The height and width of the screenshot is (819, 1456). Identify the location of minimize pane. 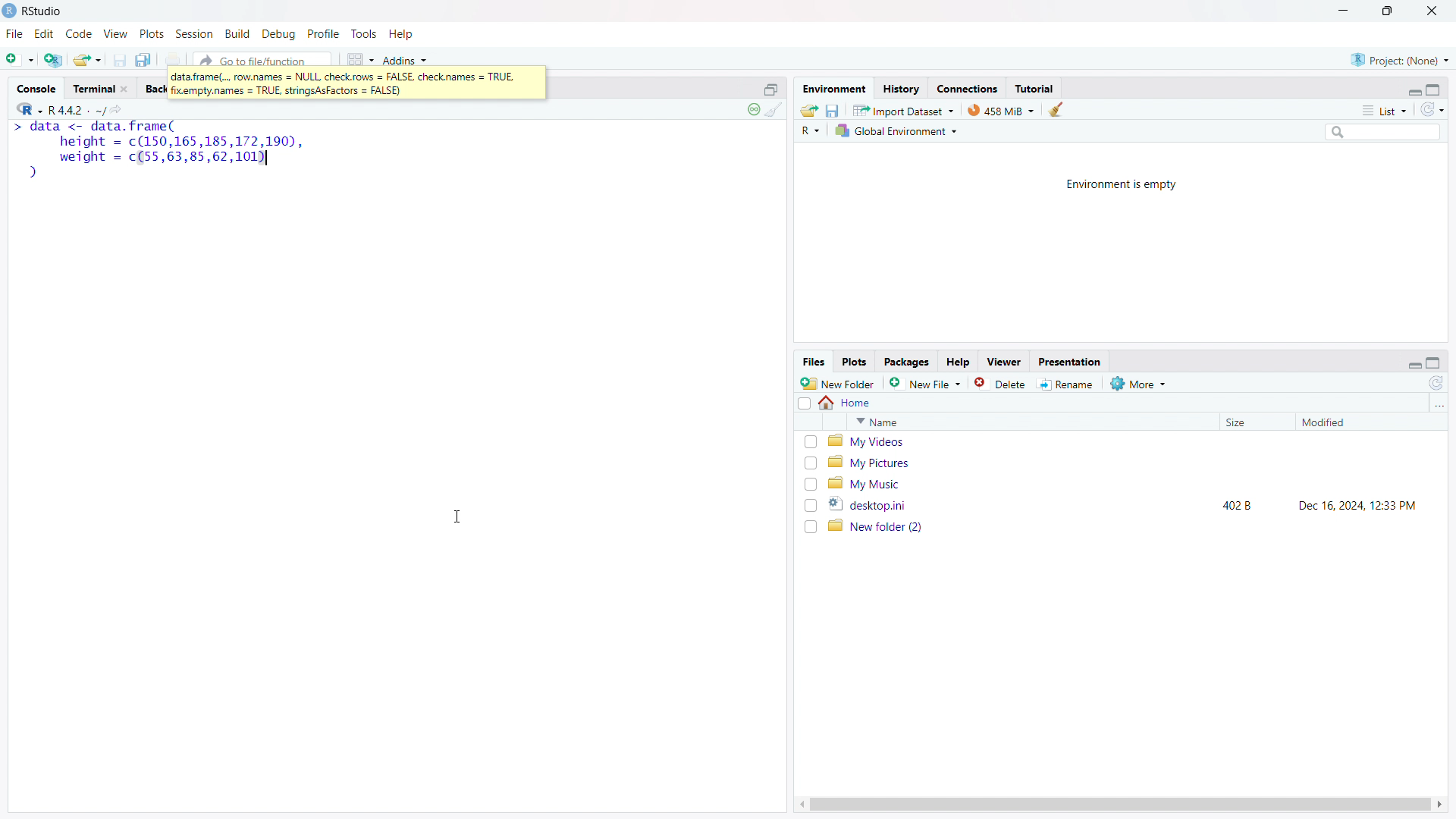
(1414, 362).